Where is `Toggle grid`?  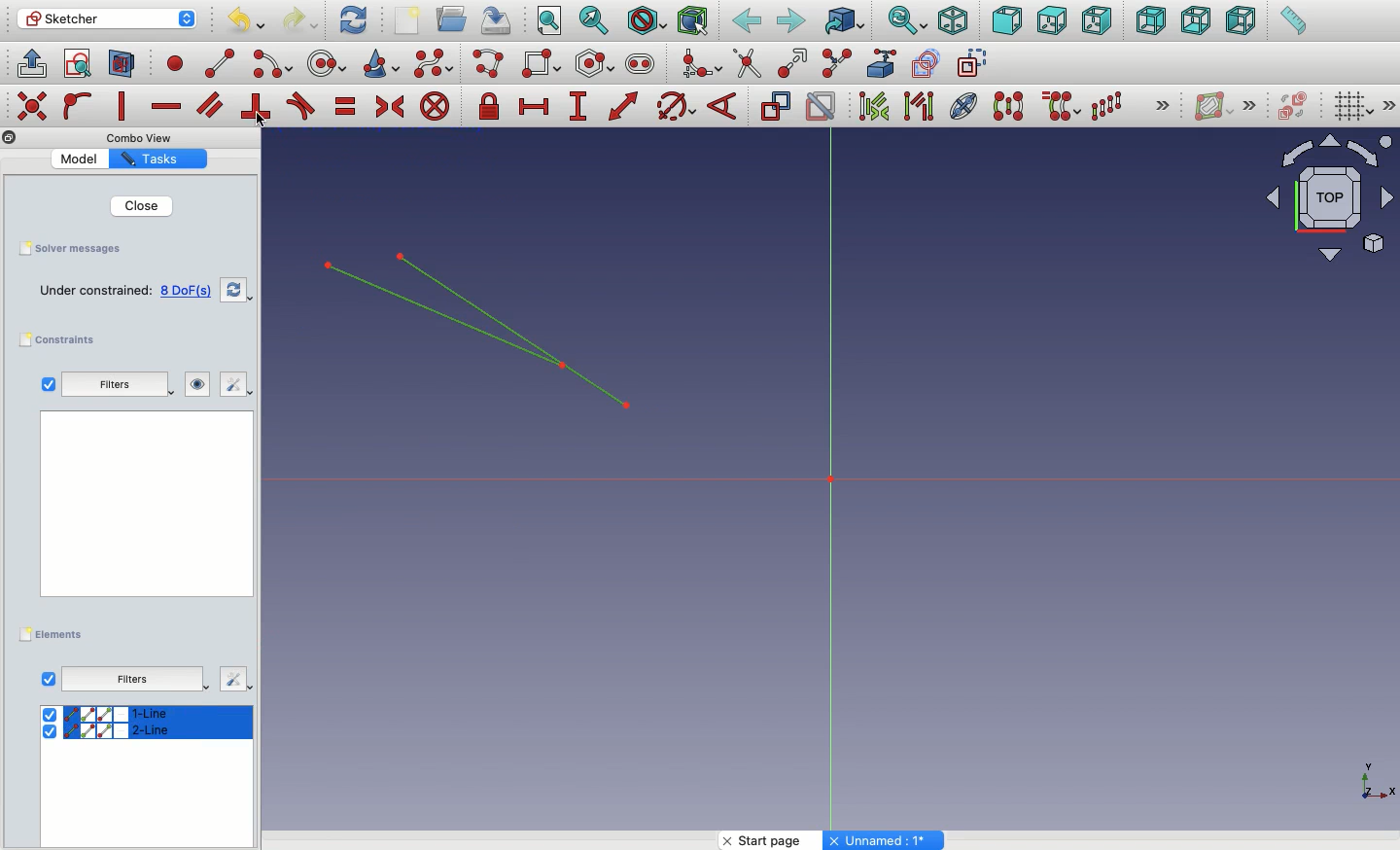 Toggle grid is located at coordinates (1354, 108).